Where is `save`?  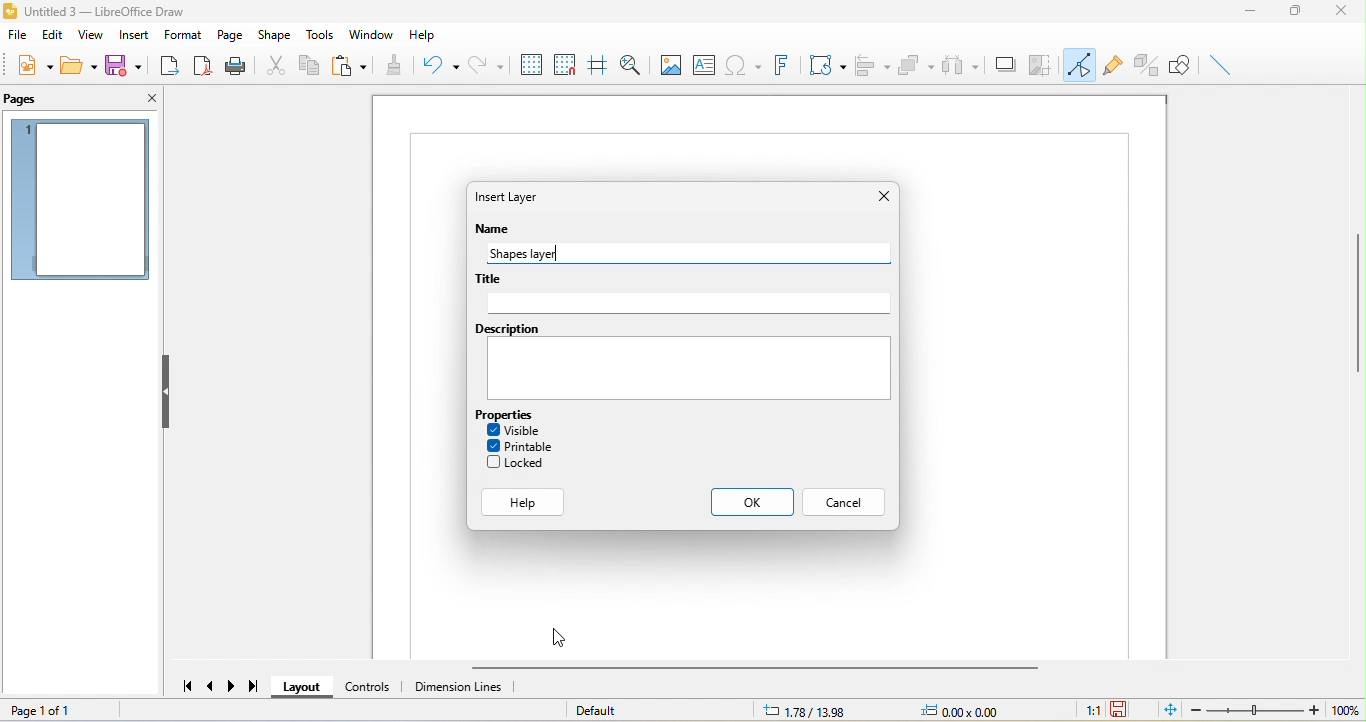
save is located at coordinates (129, 65).